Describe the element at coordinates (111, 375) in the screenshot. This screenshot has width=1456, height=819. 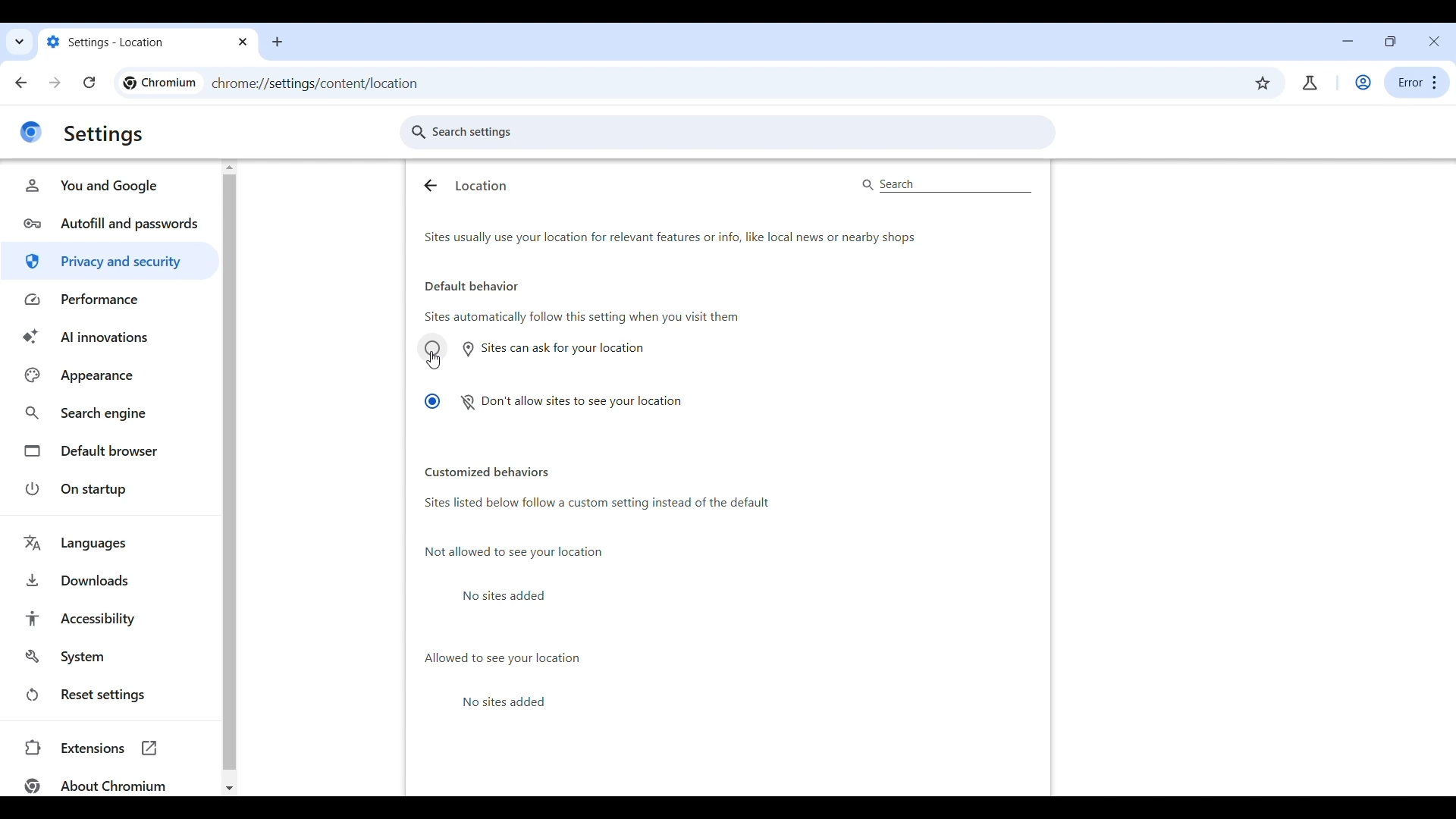
I see `Appearance` at that location.